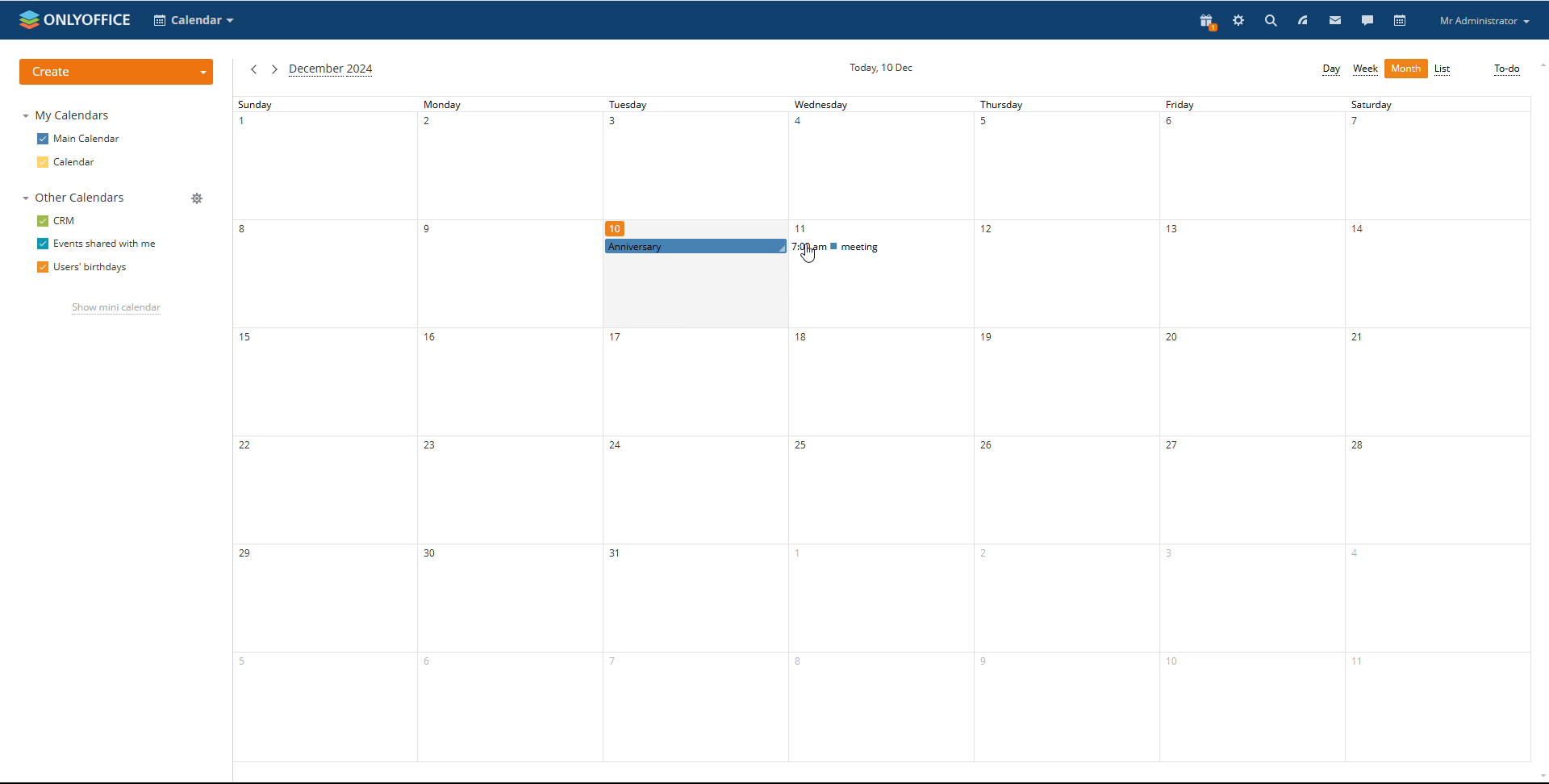 The width and height of the screenshot is (1549, 784). What do you see at coordinates (56, 221) in the screenshot?
I see `crm` at bounding box center [56, 221].